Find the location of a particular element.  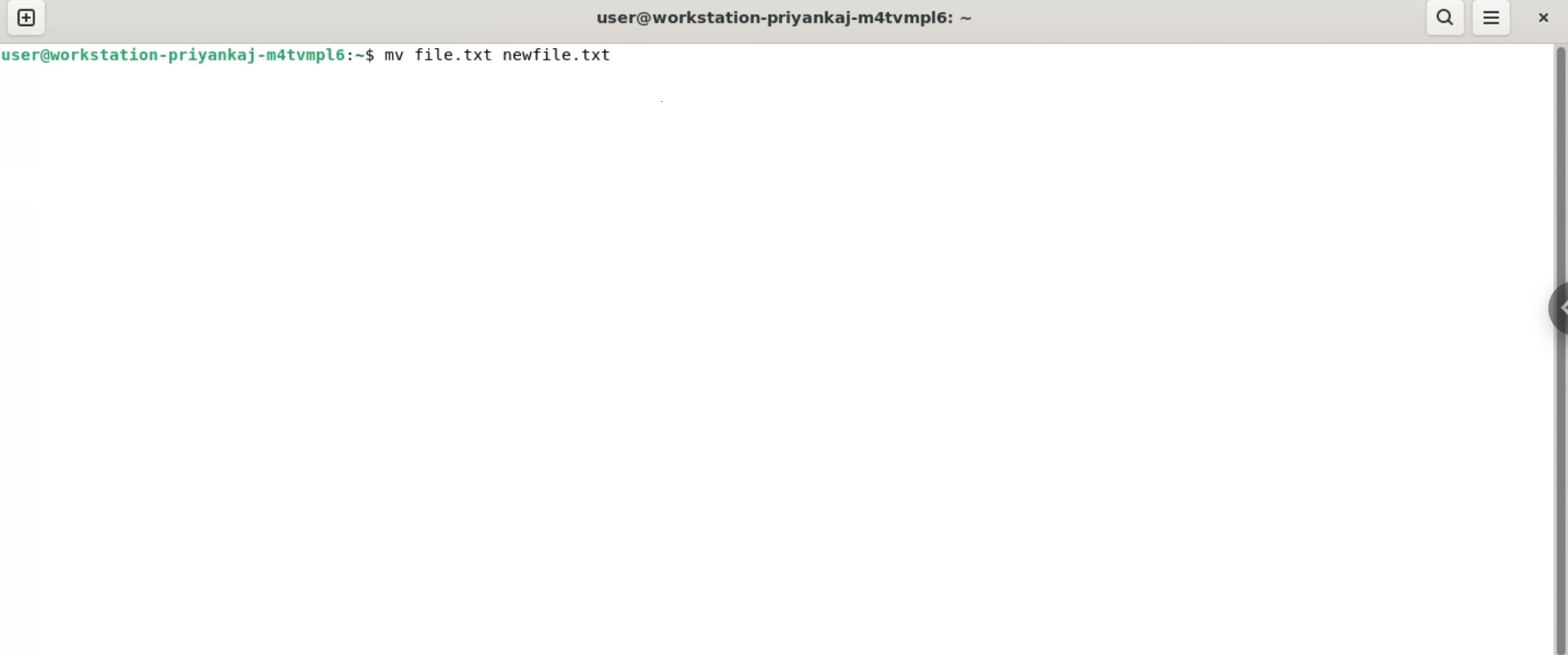

verical scroll bar is located at coordinates (1560, 348).